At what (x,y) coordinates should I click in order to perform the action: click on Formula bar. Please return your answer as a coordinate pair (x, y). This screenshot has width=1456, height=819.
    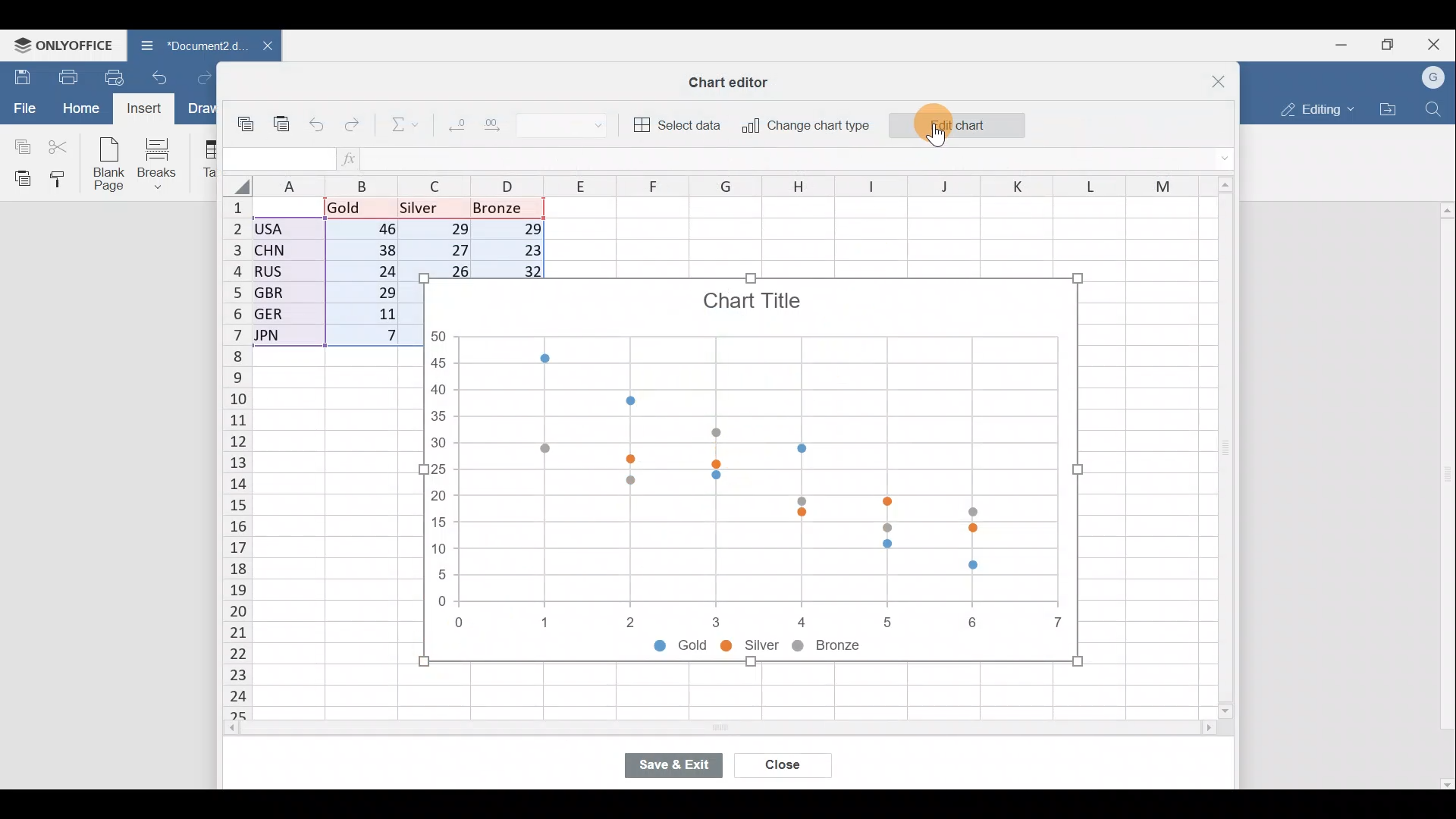
    Looking at the image, I should click on (791, 160).